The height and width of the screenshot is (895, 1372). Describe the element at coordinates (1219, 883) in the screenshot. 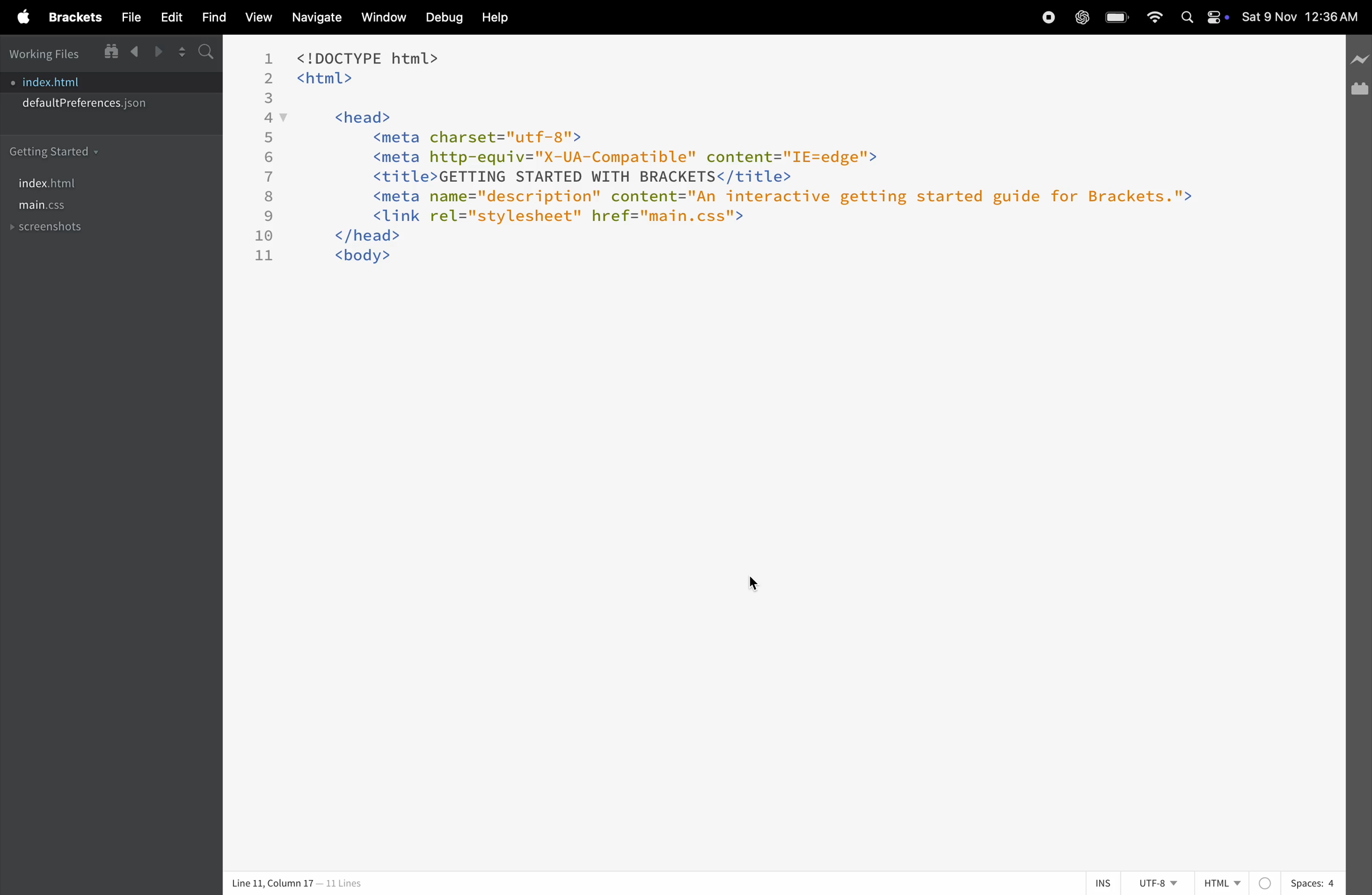

I see `html` at that location.